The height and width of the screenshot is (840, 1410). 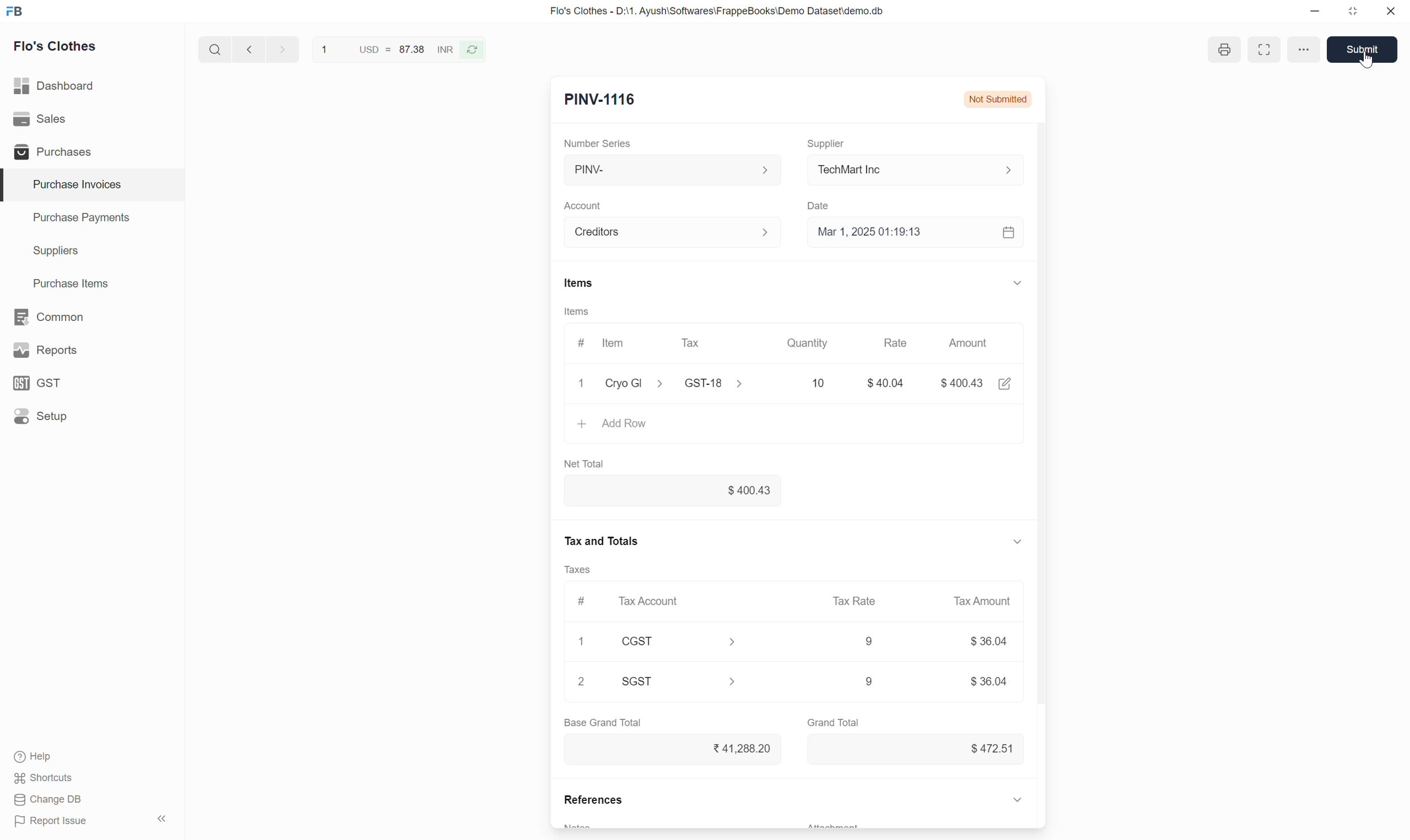 I want to click on expand, so click(x=1014, y=541).